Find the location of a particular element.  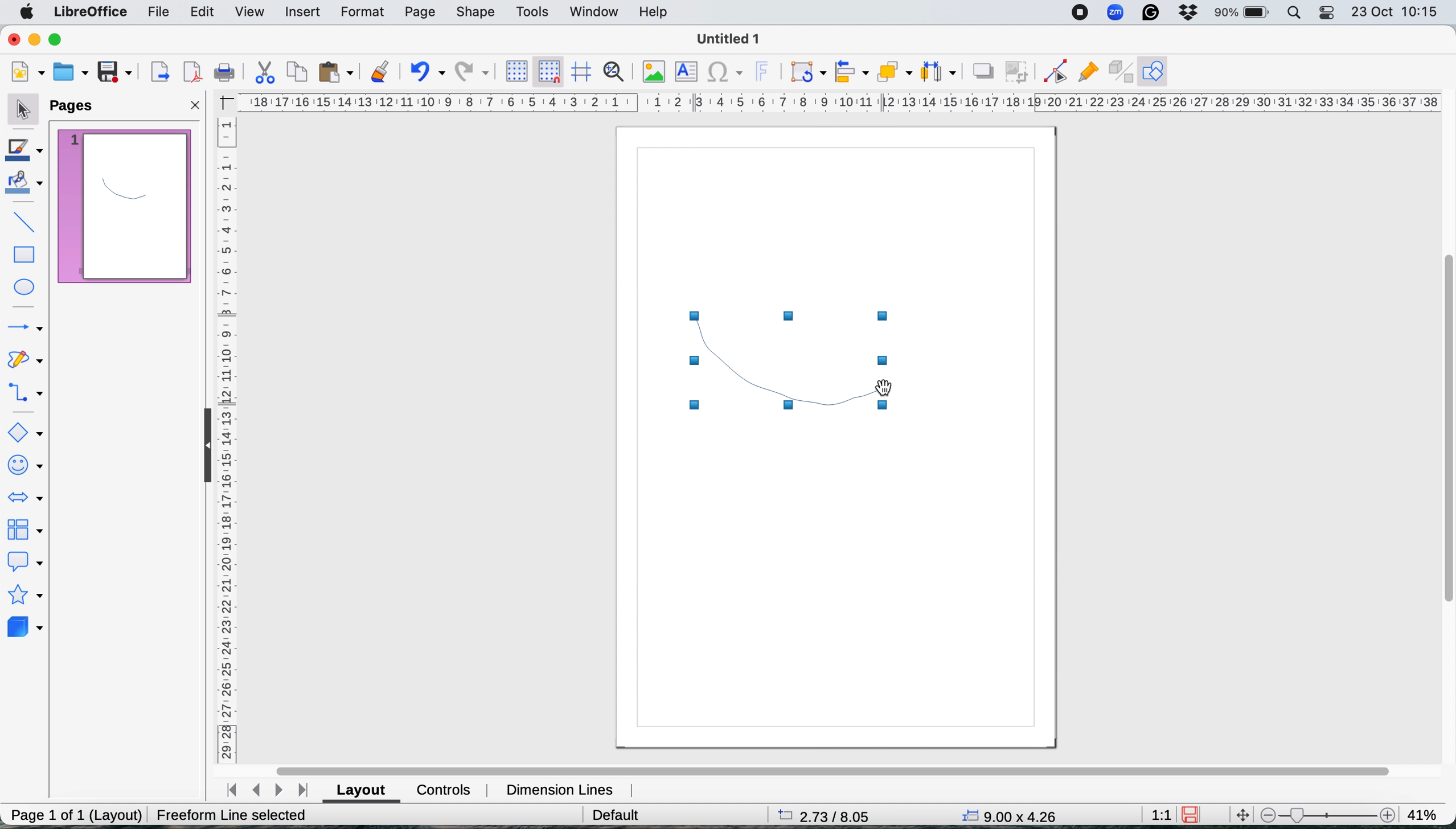

copy is located at coordinates (298, 72).